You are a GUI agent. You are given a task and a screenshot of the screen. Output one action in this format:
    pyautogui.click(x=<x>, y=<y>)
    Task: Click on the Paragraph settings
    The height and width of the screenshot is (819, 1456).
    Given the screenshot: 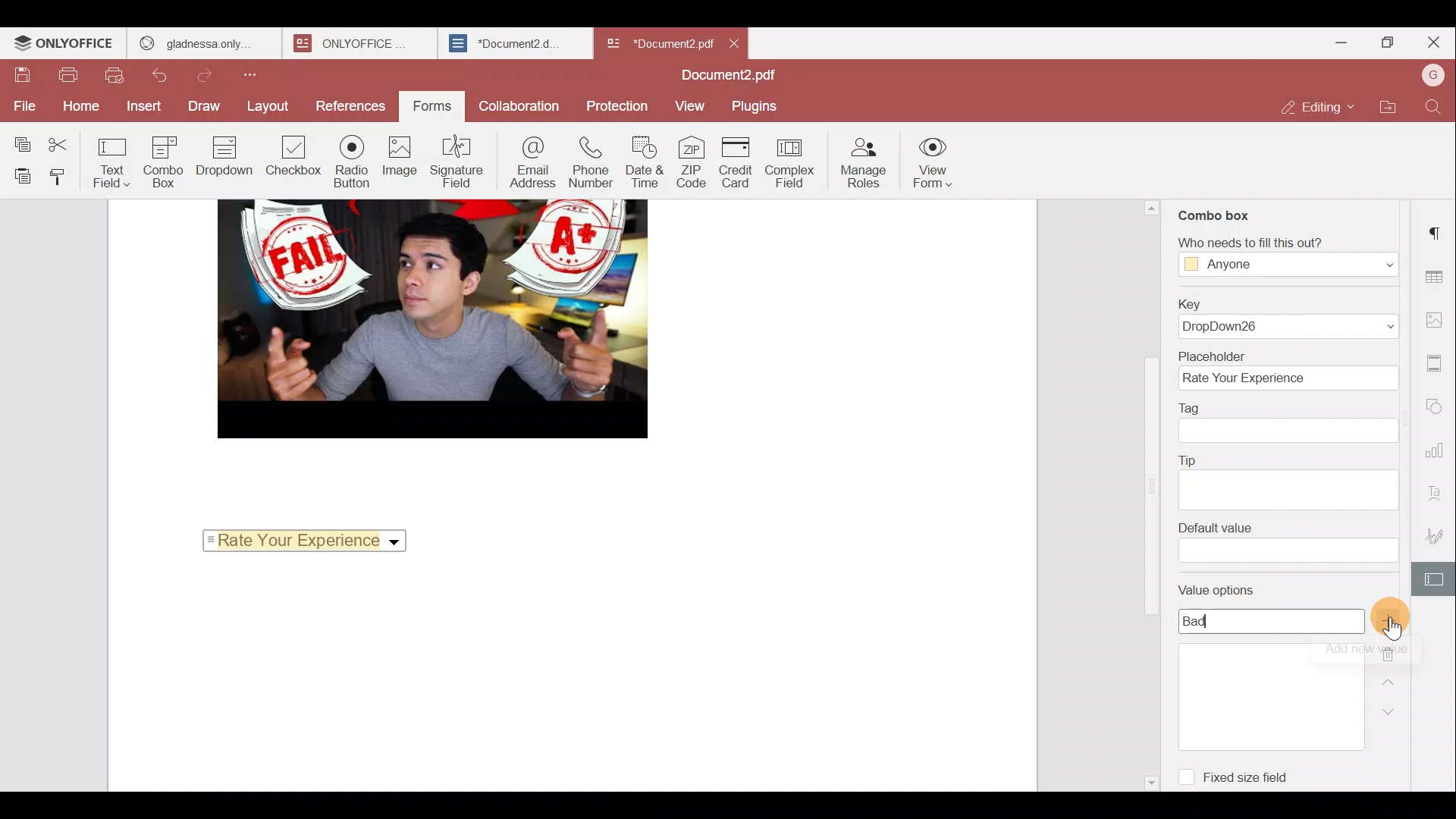 What is the action you would take?
    pyautogui.click(x=1437, y=229)
    